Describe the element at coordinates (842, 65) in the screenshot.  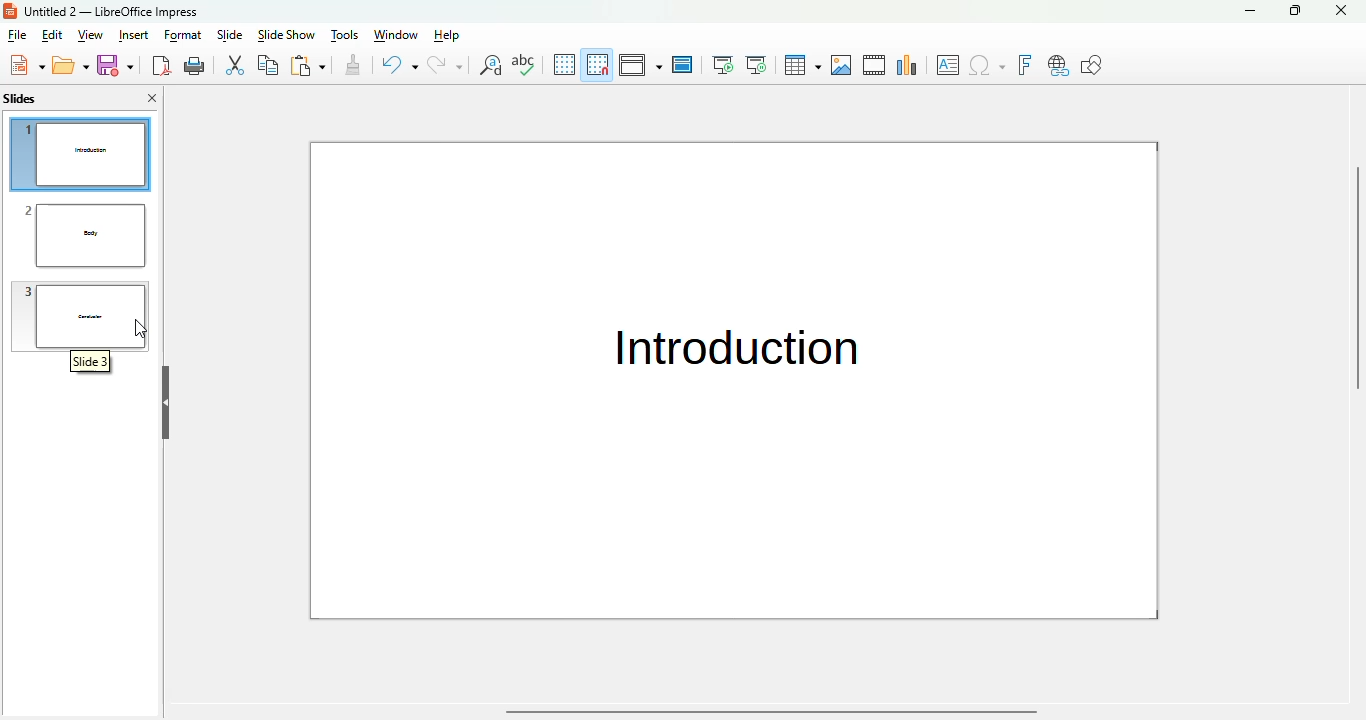
I see `insert image` at that location.